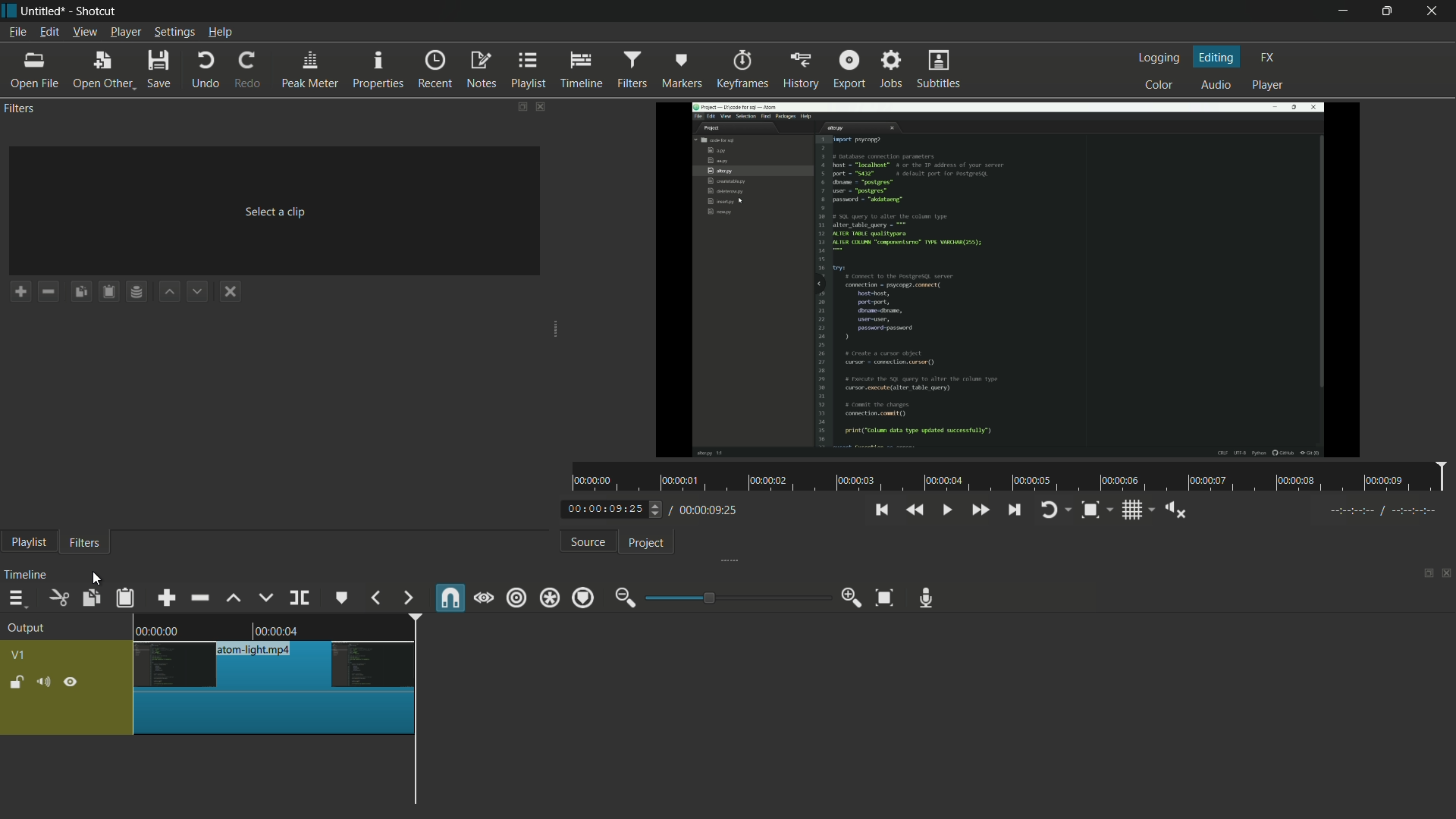  I want to click on timeline, so click(584, 71).